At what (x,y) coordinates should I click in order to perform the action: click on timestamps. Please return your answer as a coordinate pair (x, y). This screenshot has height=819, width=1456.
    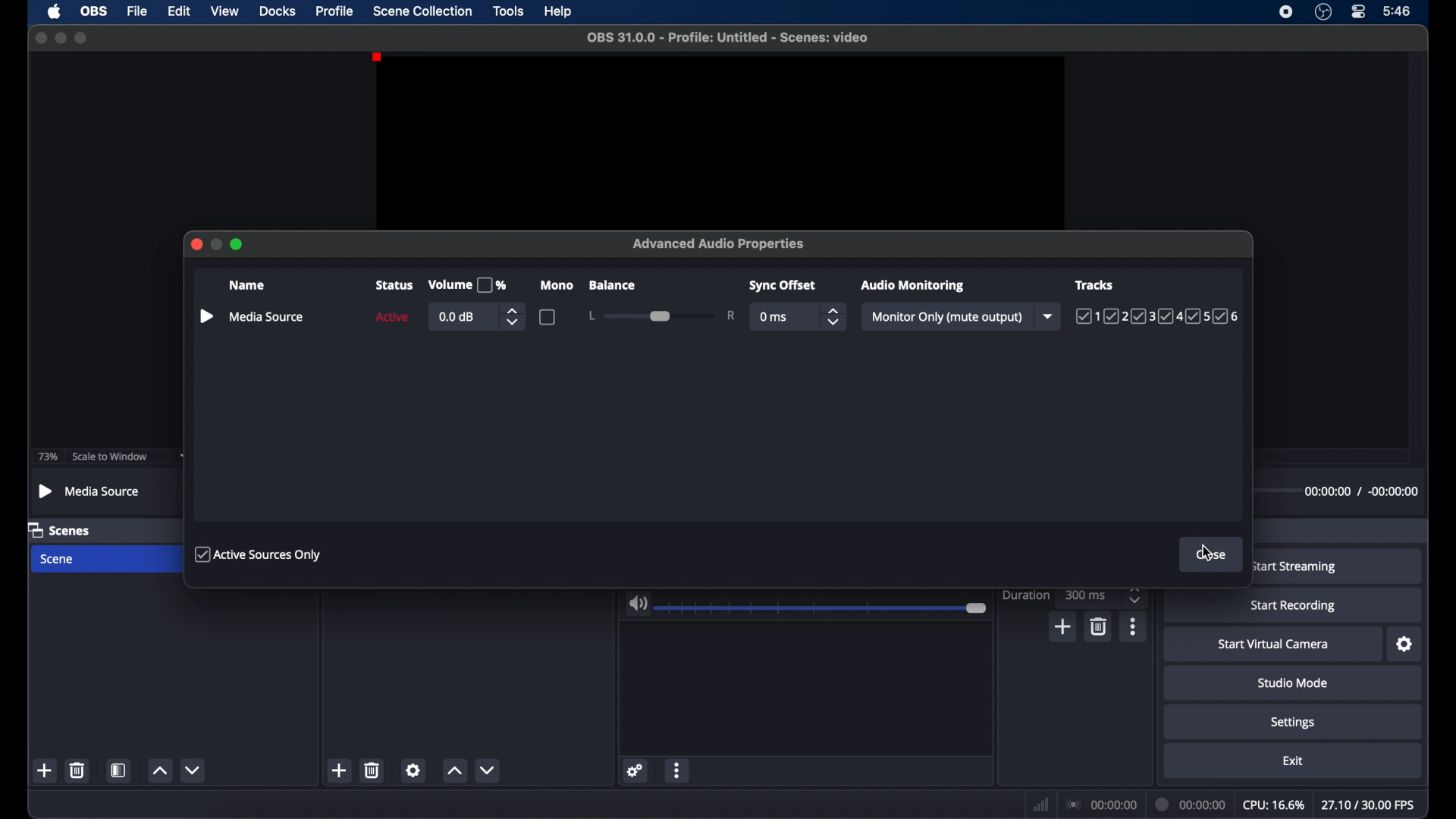
    Looking at the image, I should click on (1361, 491).